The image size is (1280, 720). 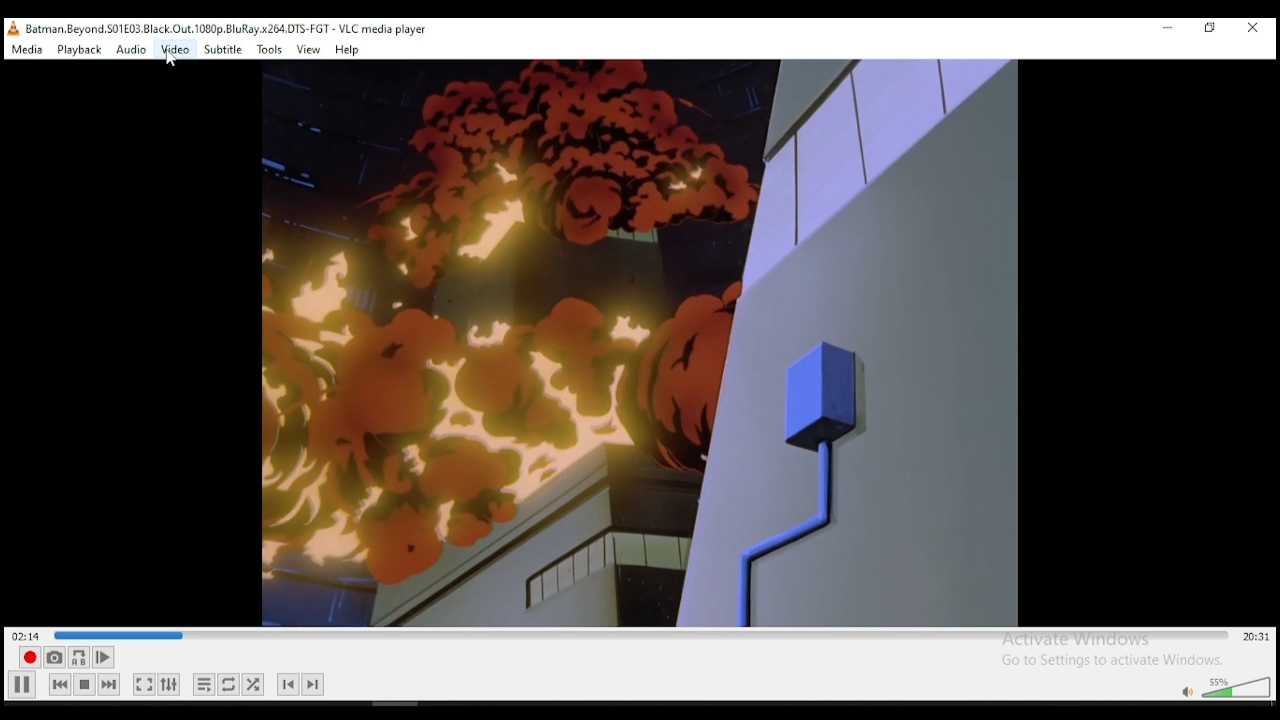 I want to click on play/pause, so click(x=22, y=685).